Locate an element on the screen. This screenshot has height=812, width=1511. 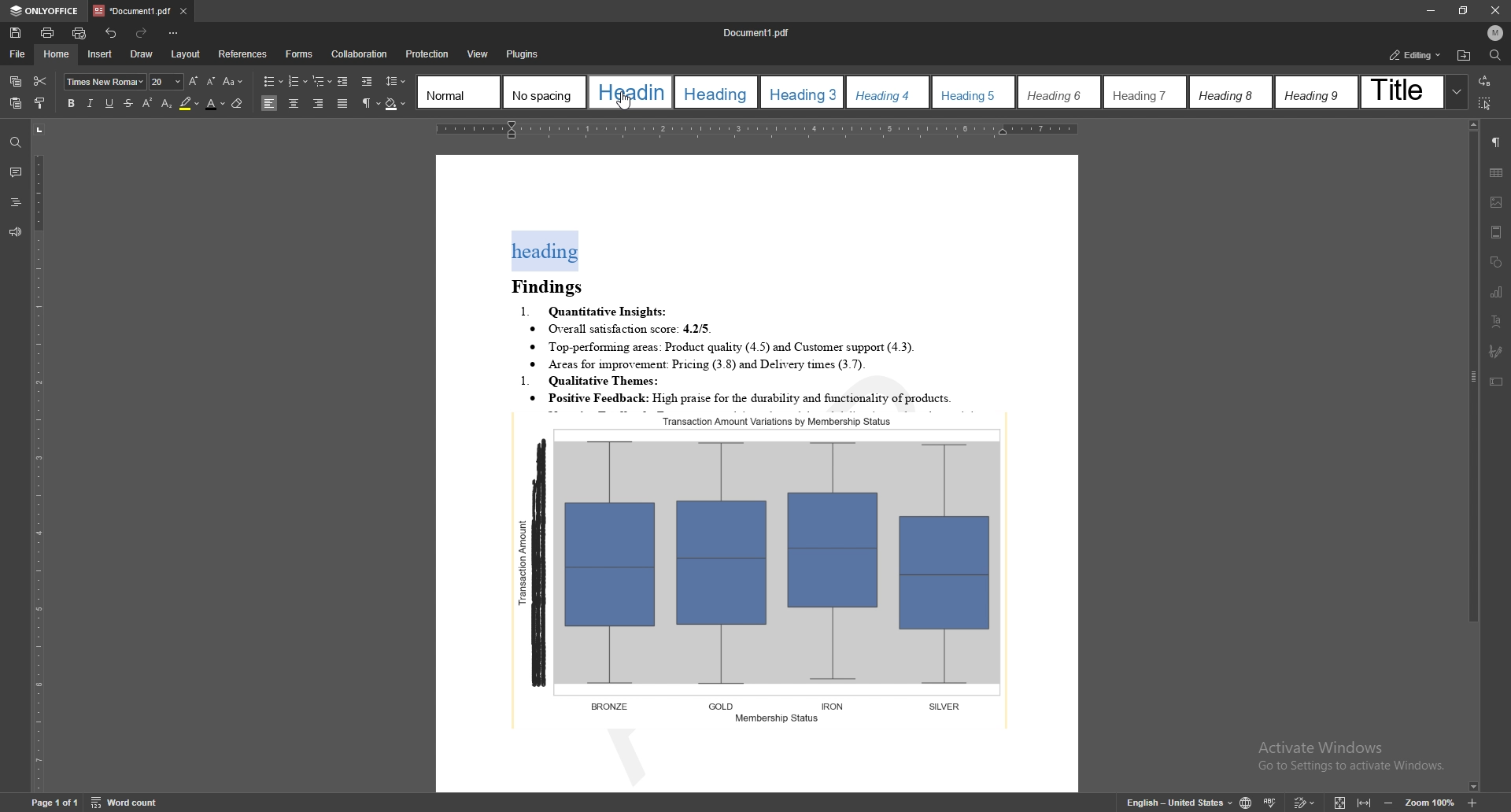
feedback is located at coordinates (15, 233).